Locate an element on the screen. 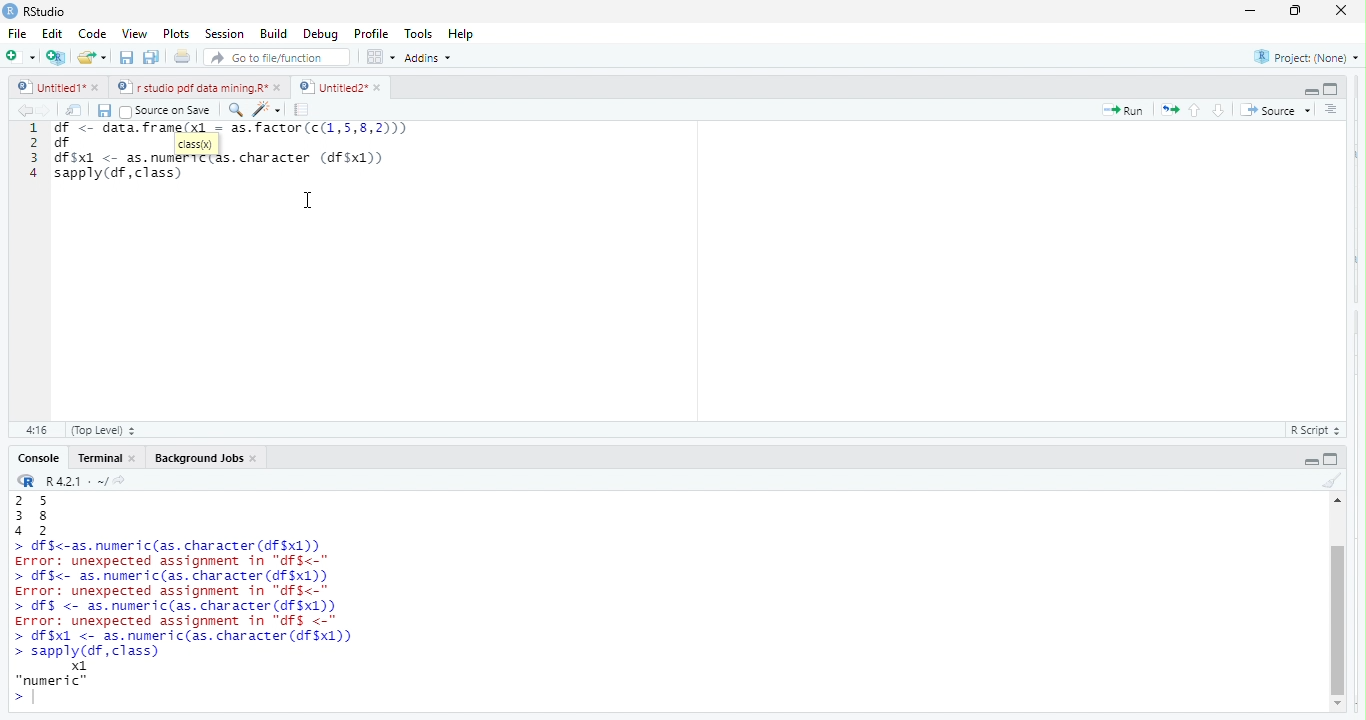  close is located at coordinates (101, 87).